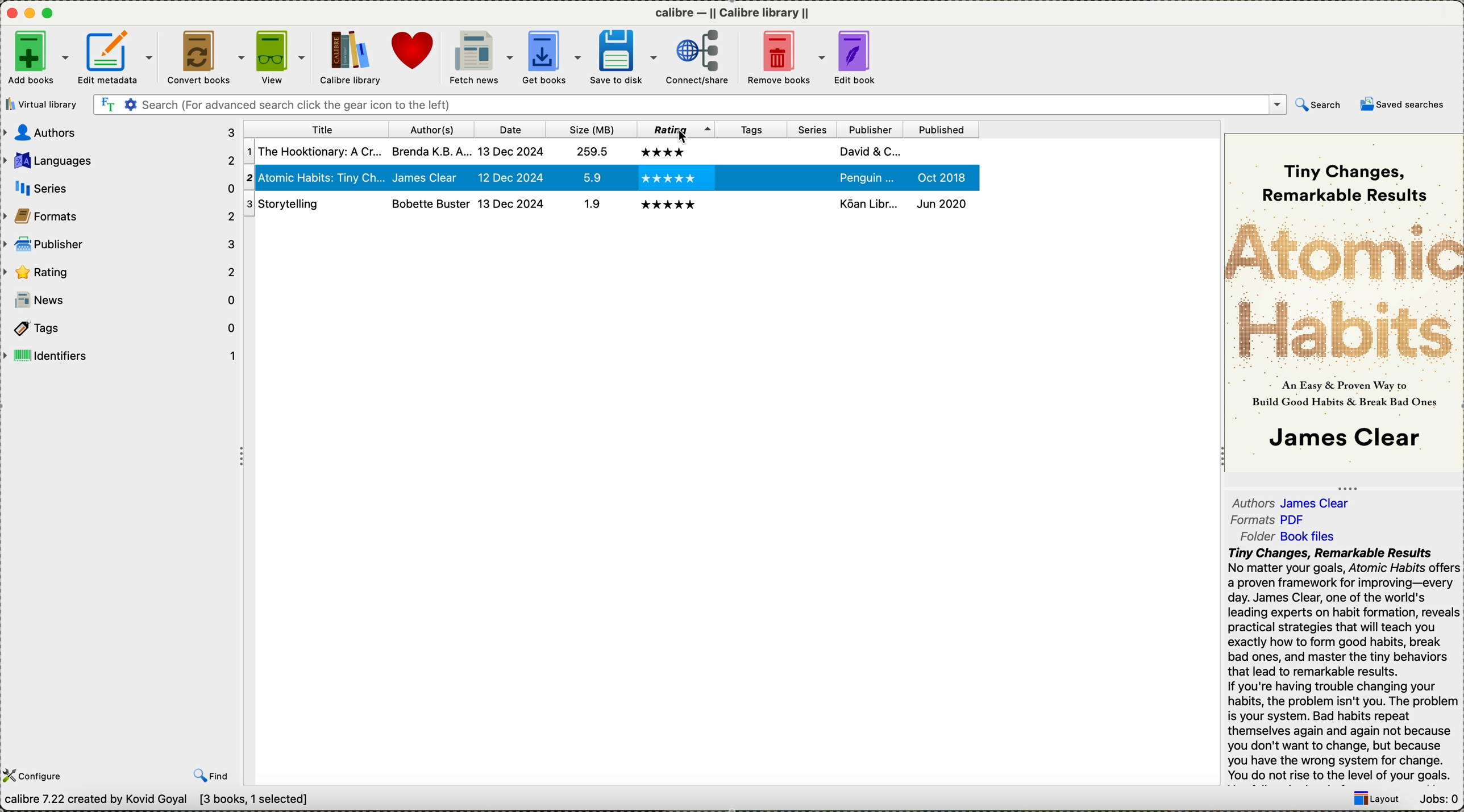 The width and height of the screenshot is (1464, 812). What do you see at coordinates (430, 203) in the screenshot?
I see `bobette buster` at bounding box center [430, 203].